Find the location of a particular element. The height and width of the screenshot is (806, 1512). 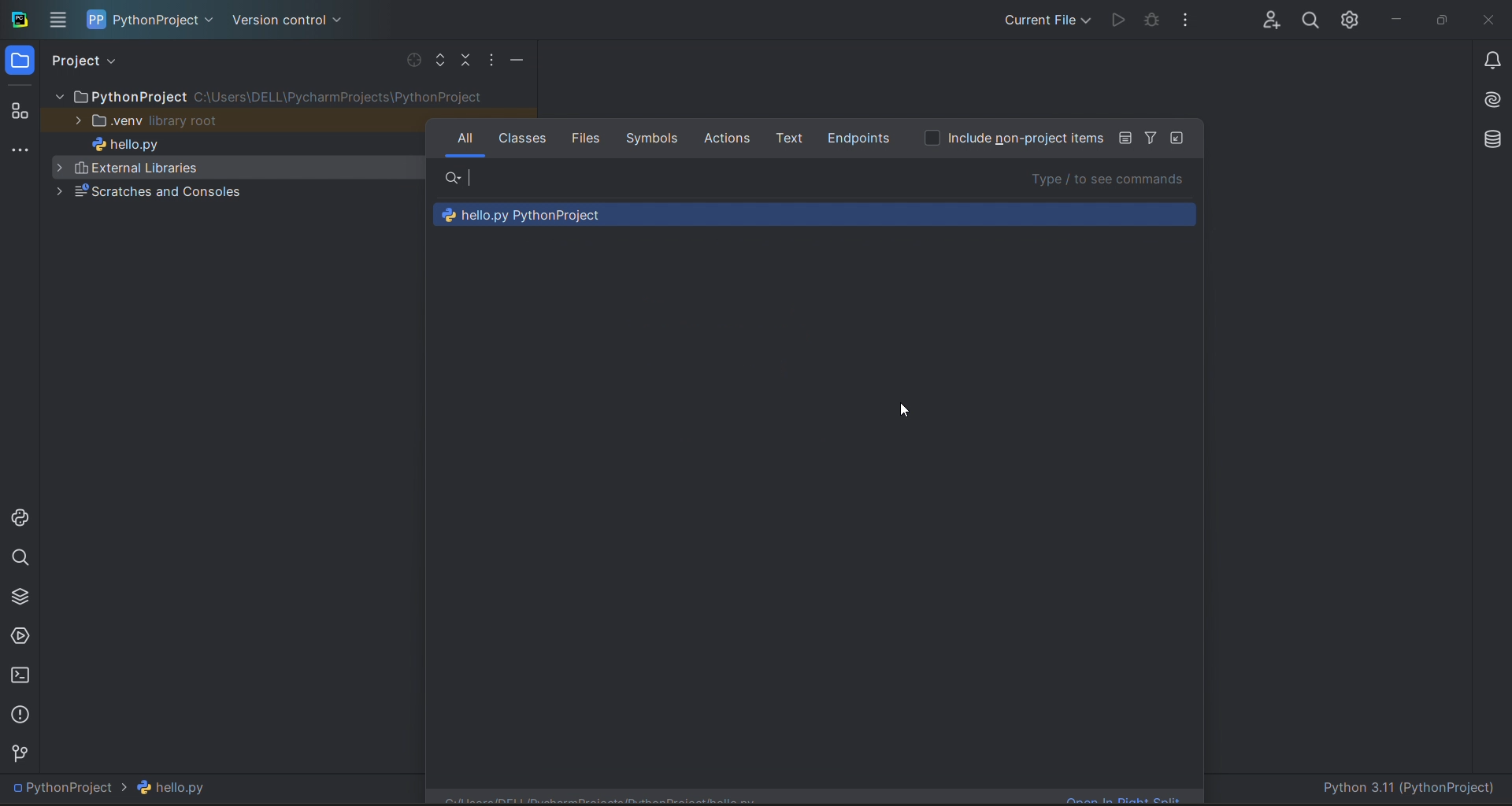

project view is located at coordinates (84, 61).